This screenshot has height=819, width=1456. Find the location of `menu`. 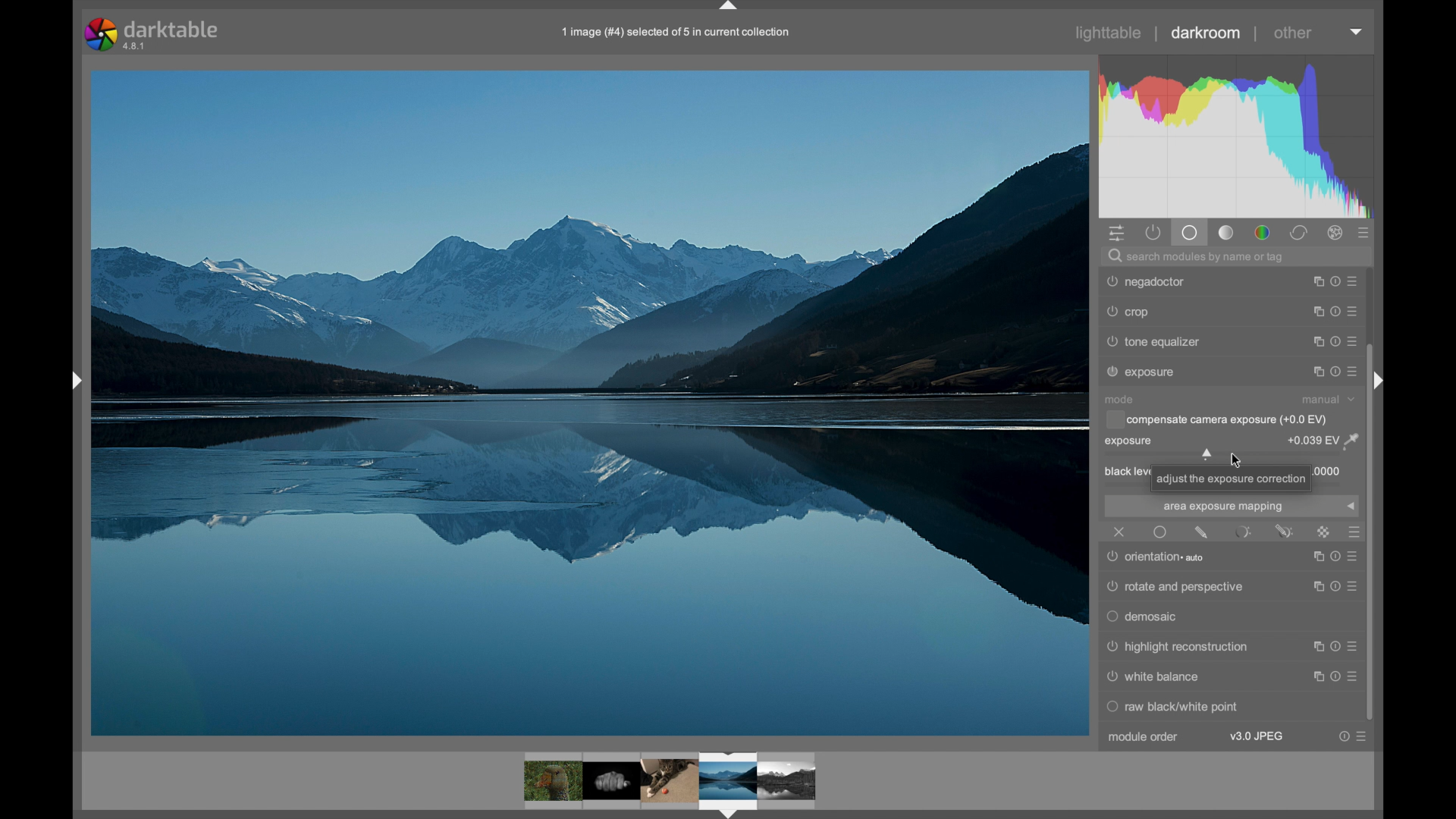

menu is located at coordinates (1334, 588).